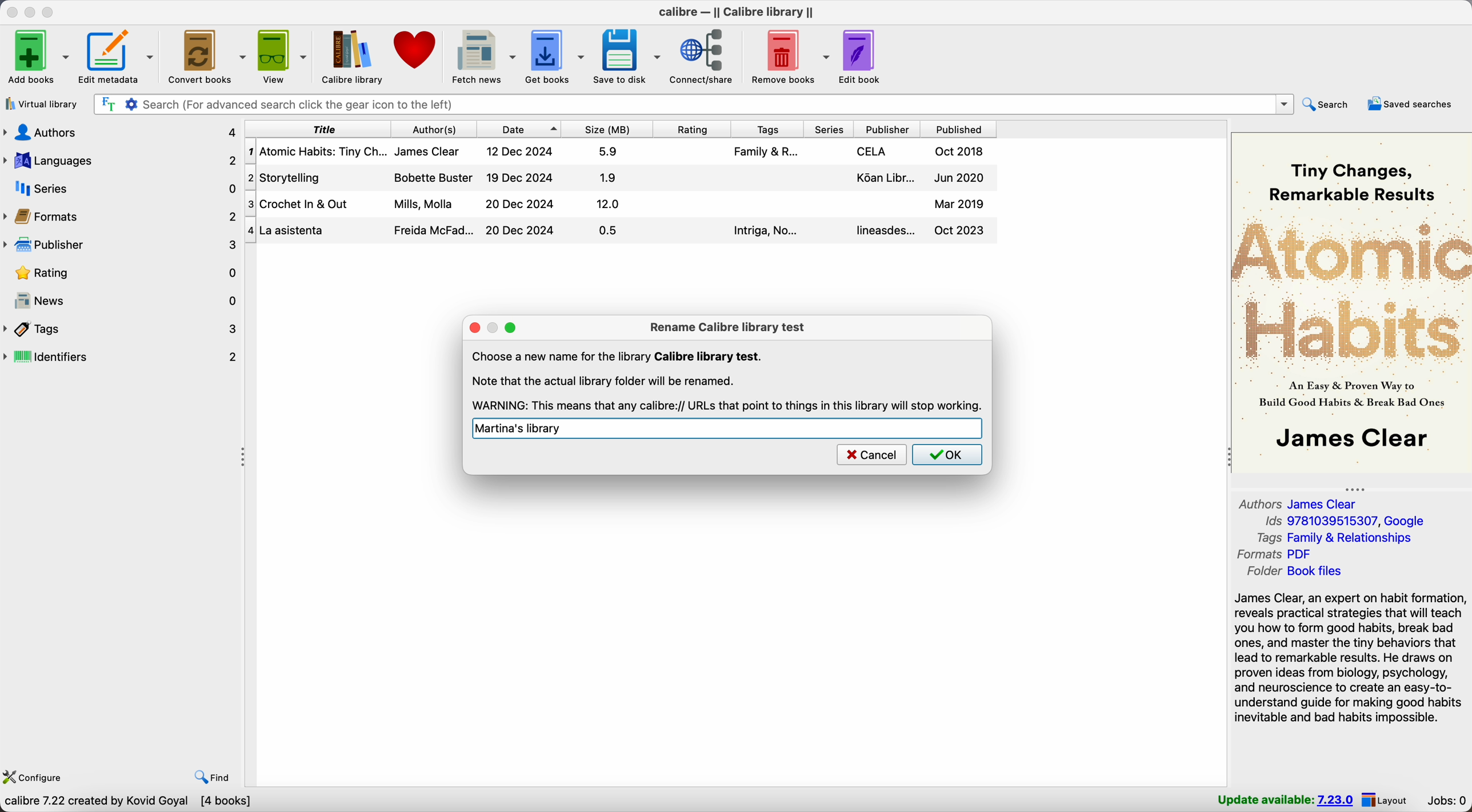  Describe the element at coordinates (30, 13) in the screenshot. I see `minimize Calibre` at that location.